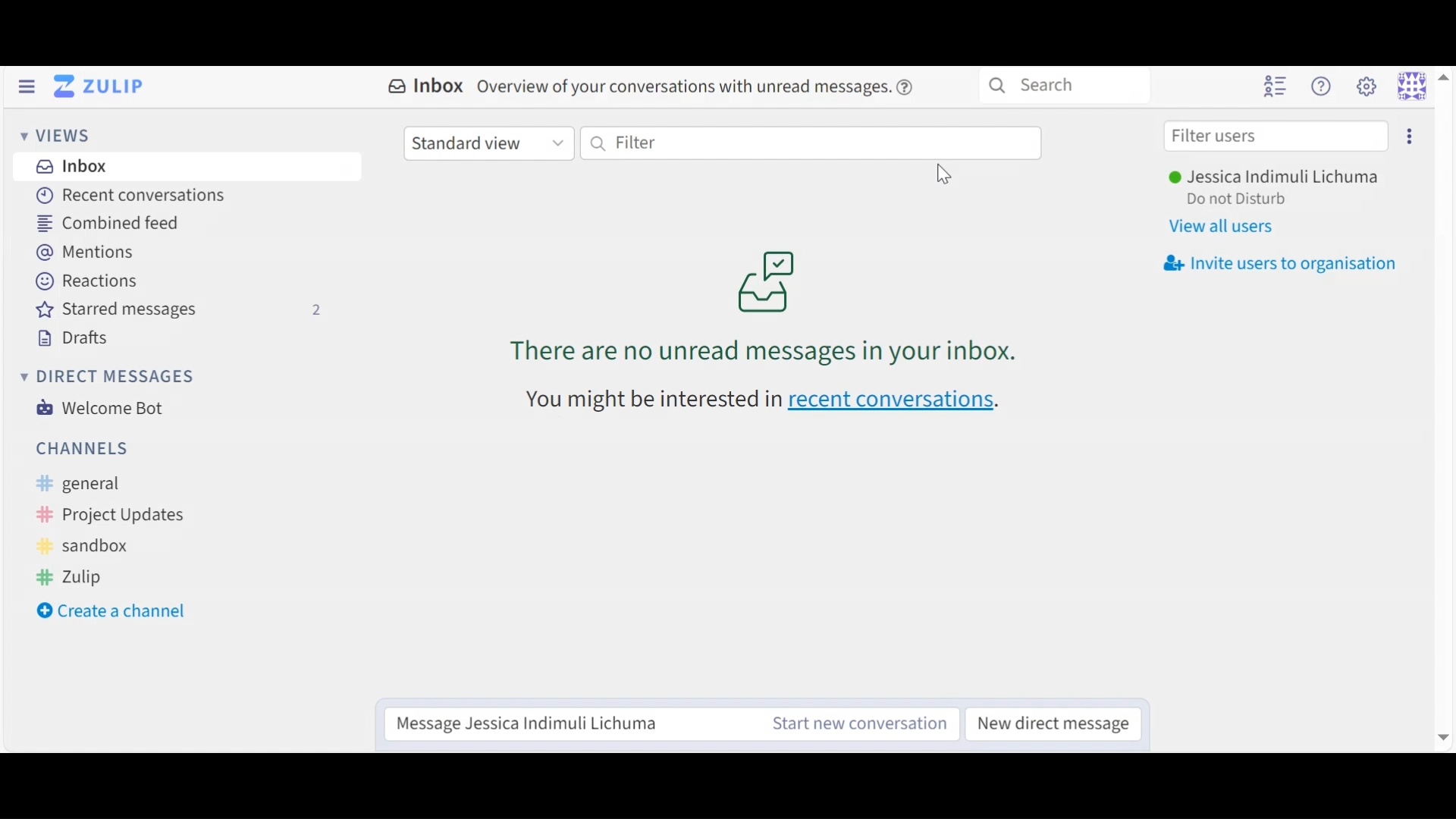 The image size is (1456, 819). What do you see at coordinates (105, 377) in the screenshot?
I see `Direct Messages` at bounding box center [105, 377].